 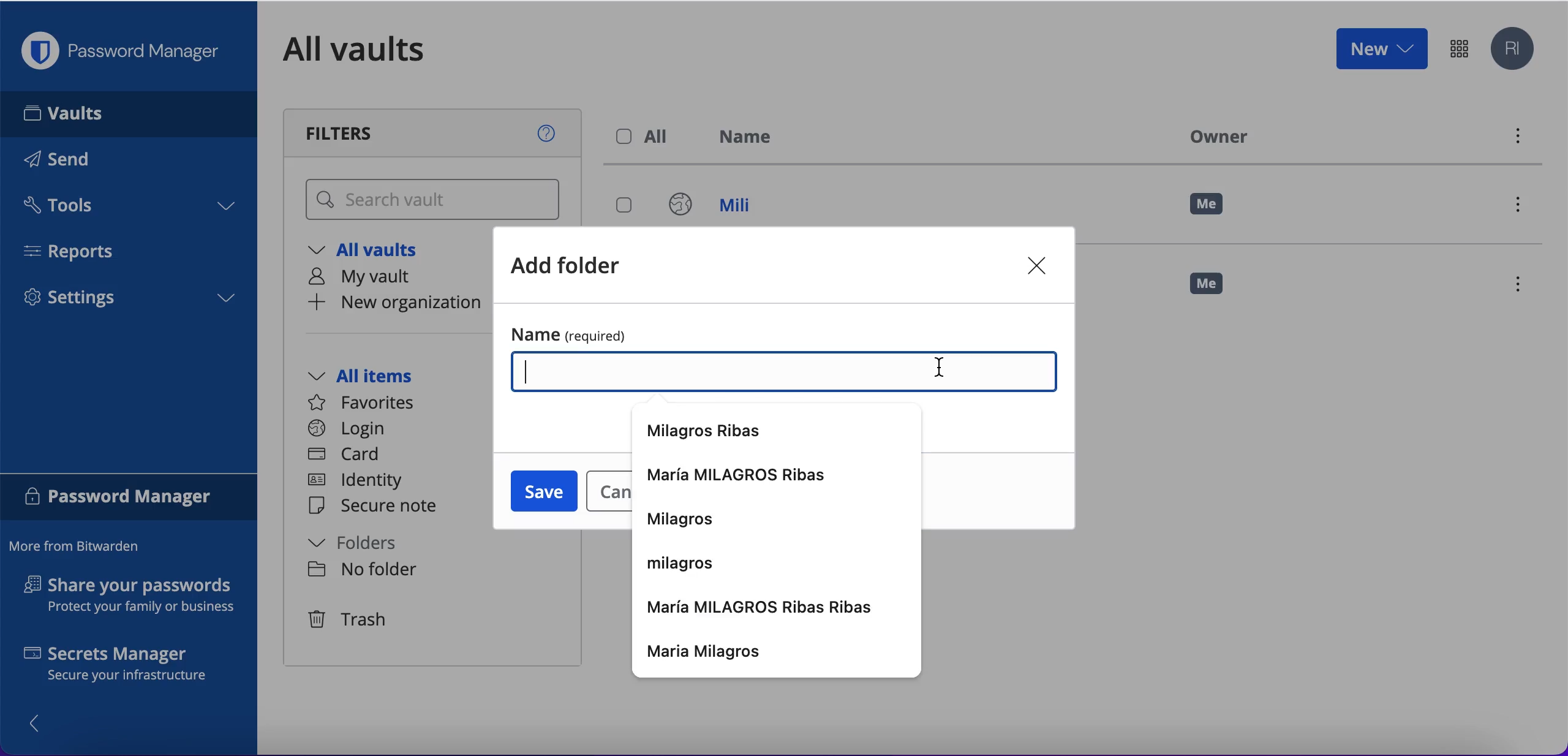 I want to click on password manager, so click(x=129, y=499).